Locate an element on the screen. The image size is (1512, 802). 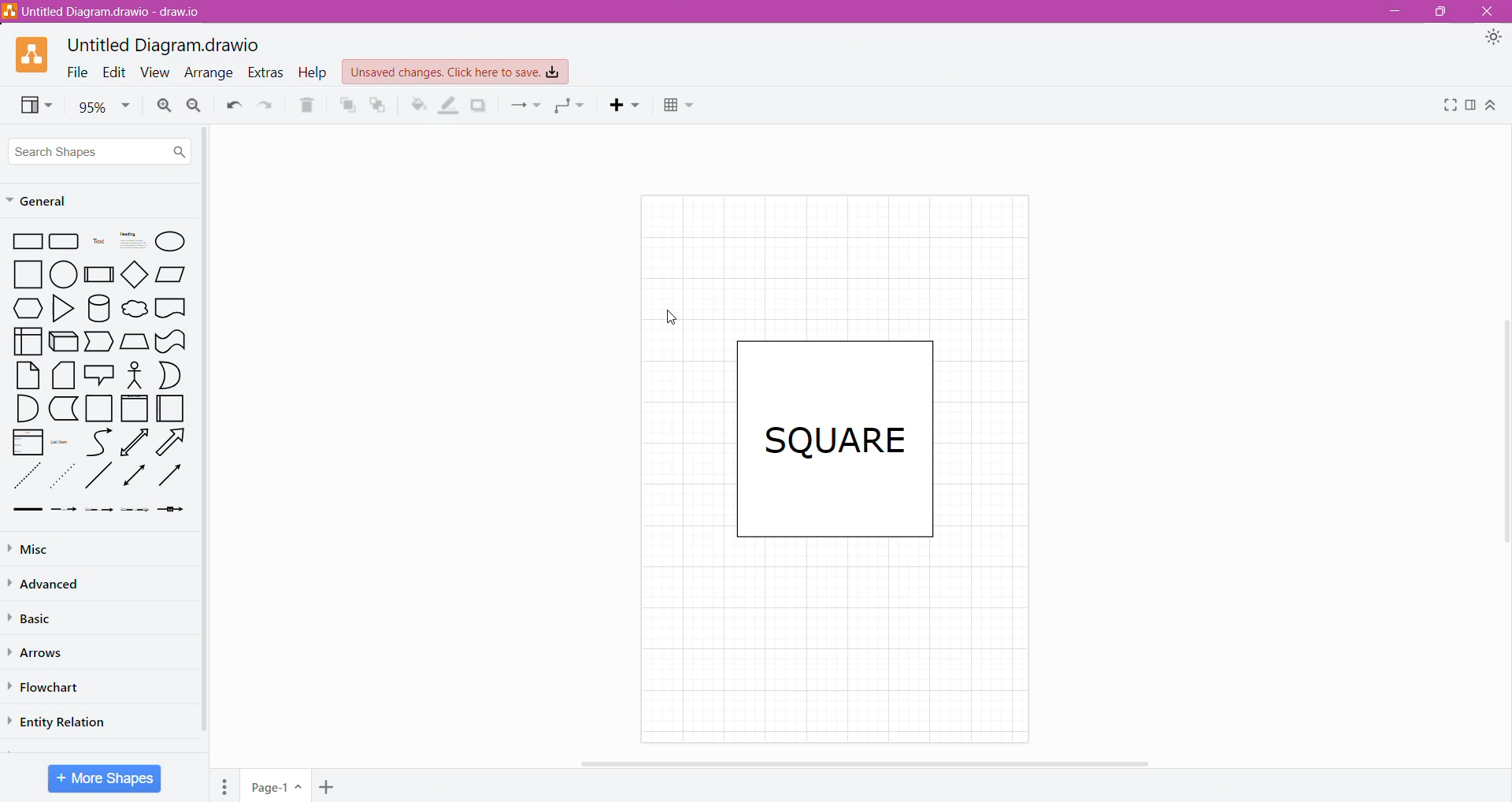
Add Page is located at coordinates (329, 786).